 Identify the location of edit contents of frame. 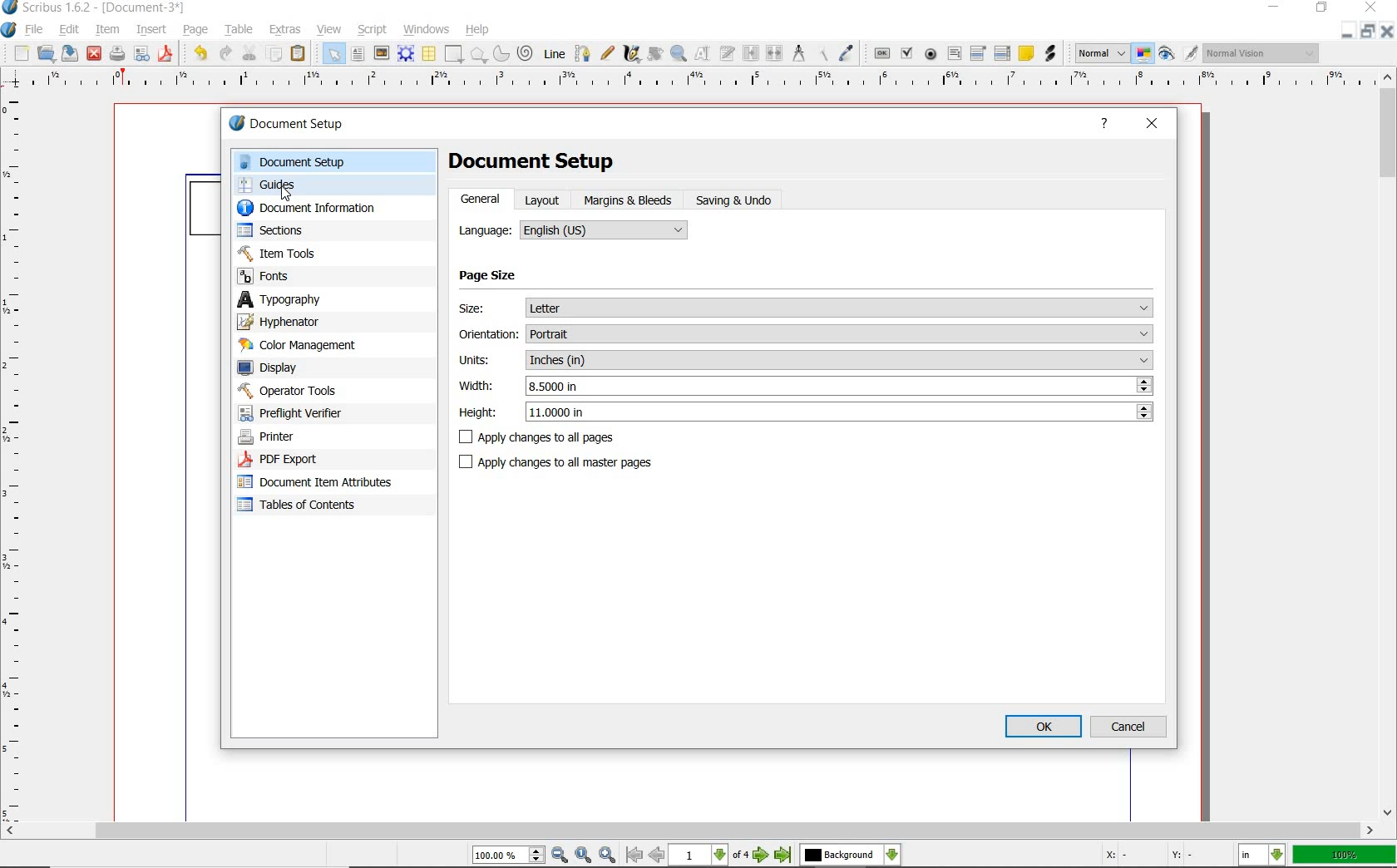
(703, 53).